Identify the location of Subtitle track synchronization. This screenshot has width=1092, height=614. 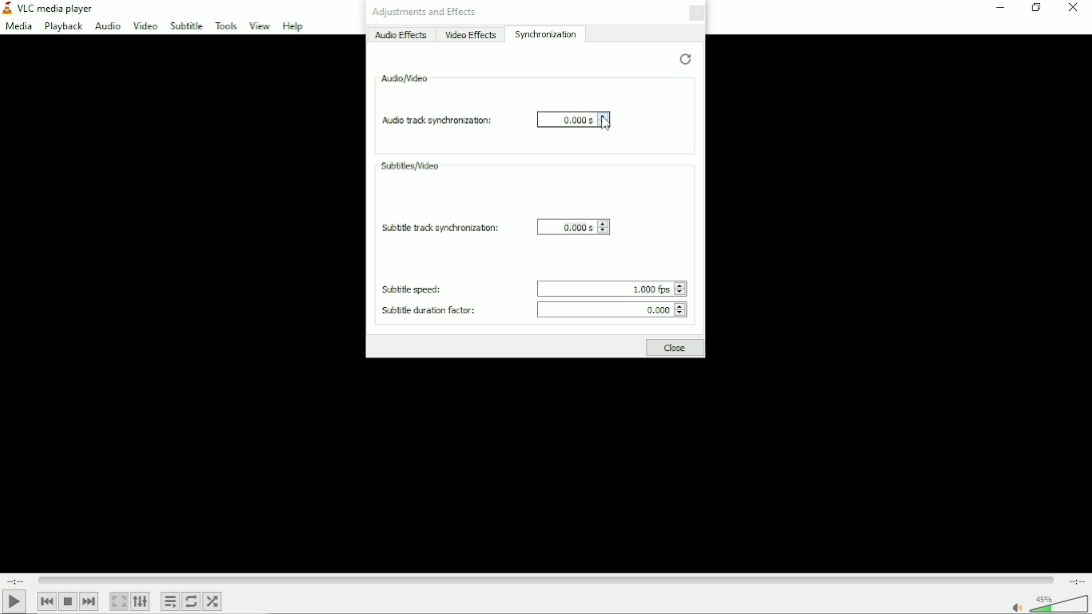
(437, 227).